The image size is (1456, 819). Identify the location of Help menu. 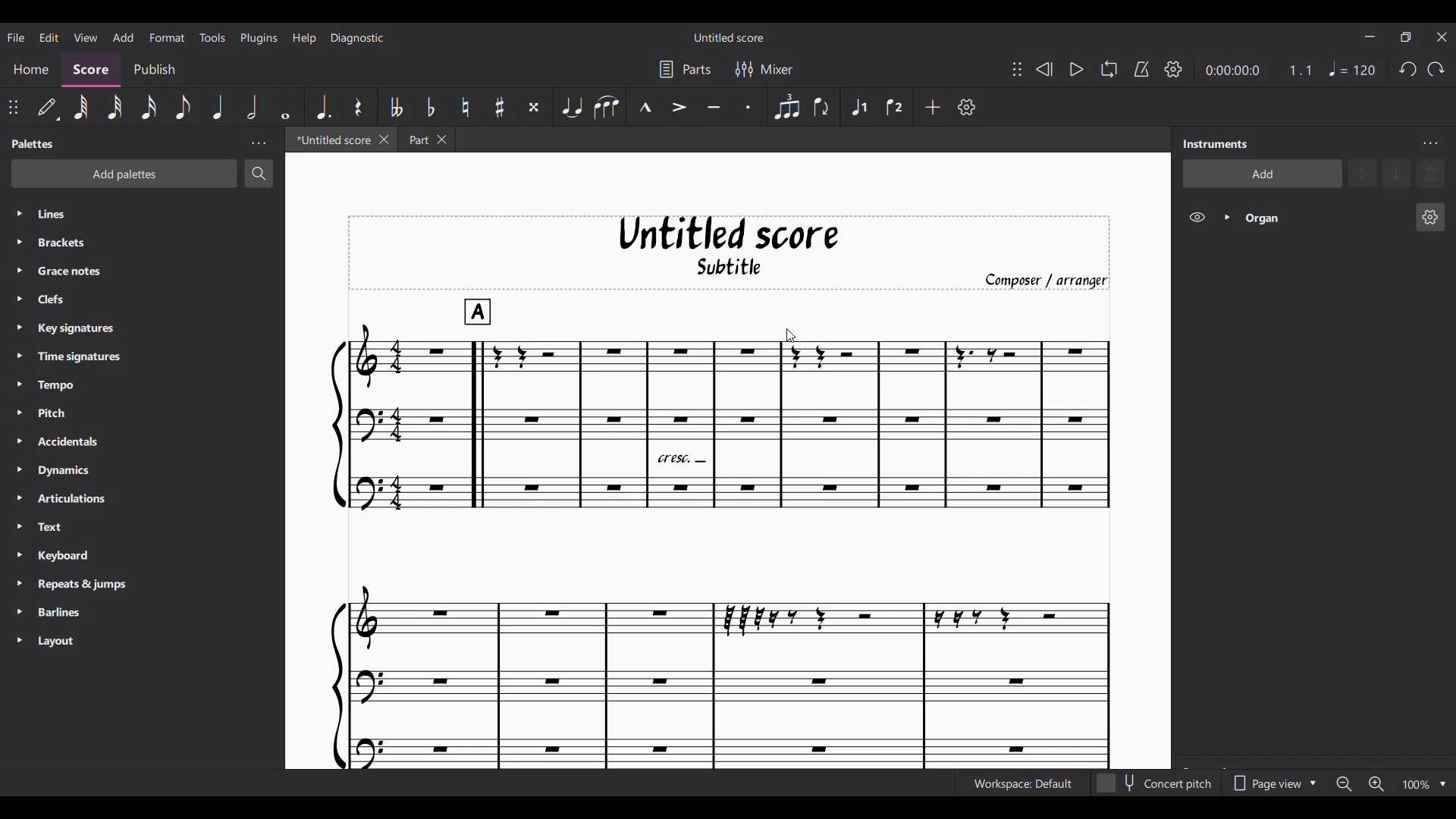
(303, 38).